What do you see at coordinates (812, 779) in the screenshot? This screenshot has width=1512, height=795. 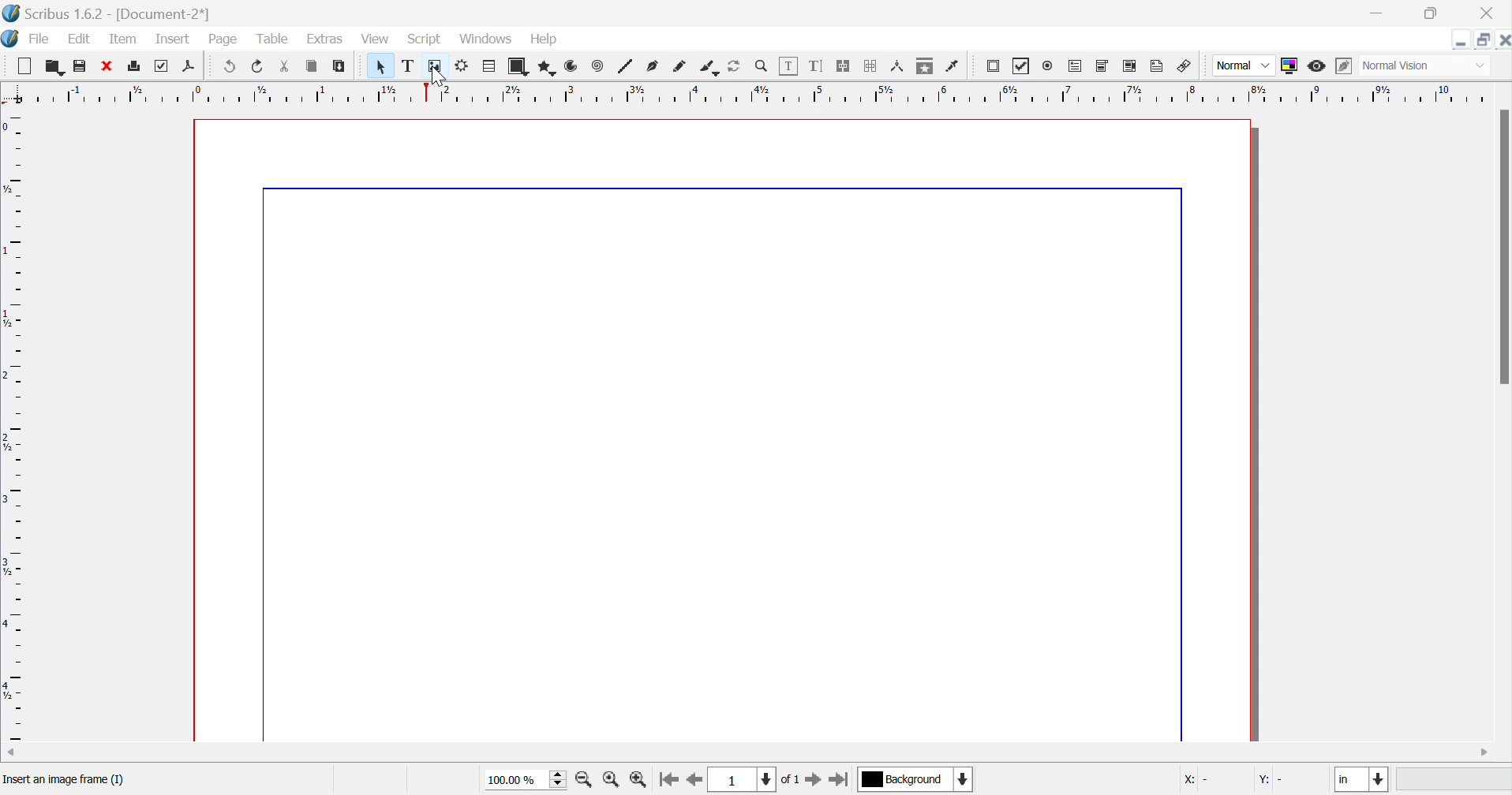 I see `go to next page` at bounding box center [812, 779].